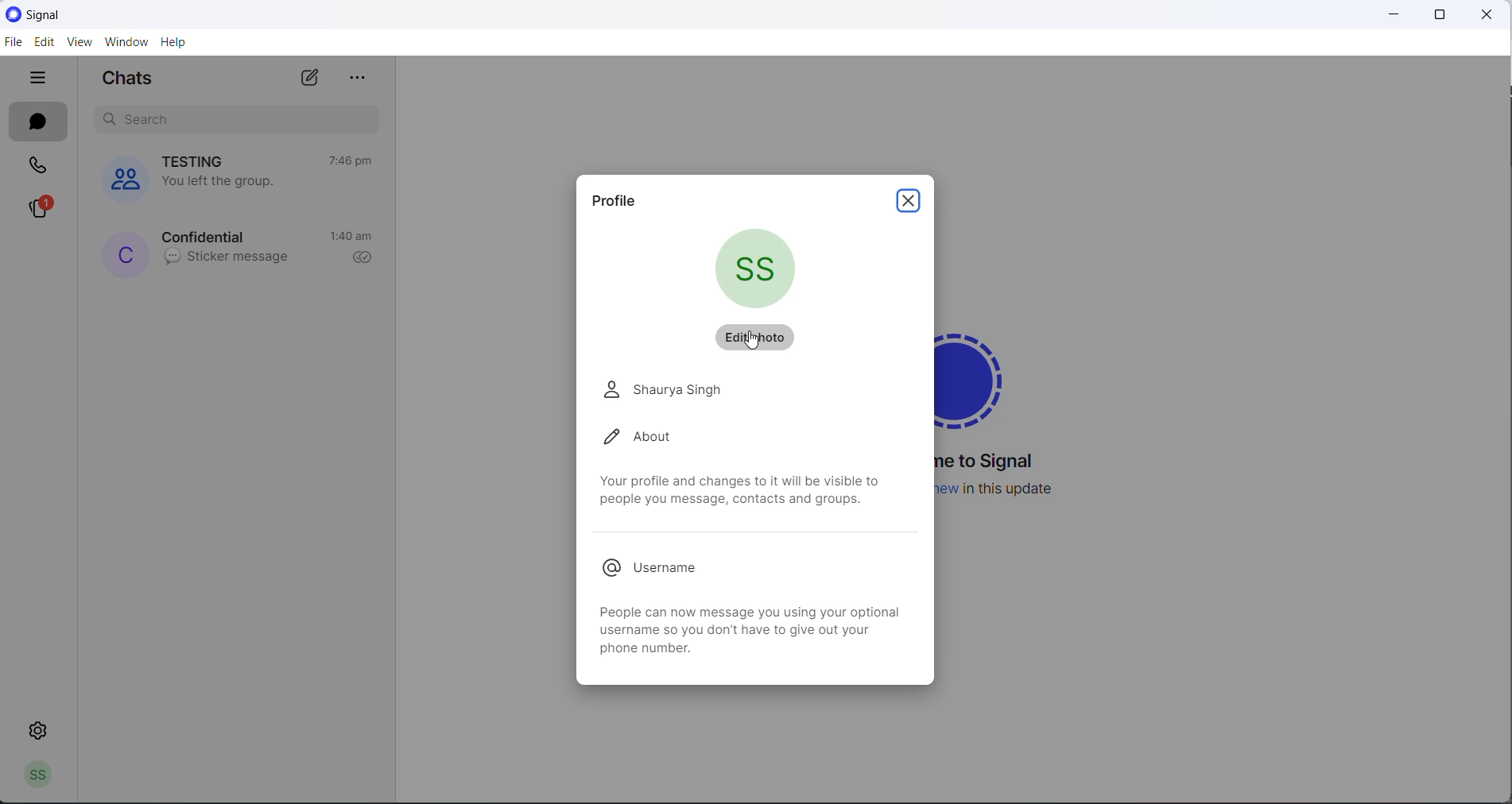 The width and height of the screenshot is (1512, 804). Describe the element at coordinates (39, 79) in the screenshot. I see `close tabs` at that location.